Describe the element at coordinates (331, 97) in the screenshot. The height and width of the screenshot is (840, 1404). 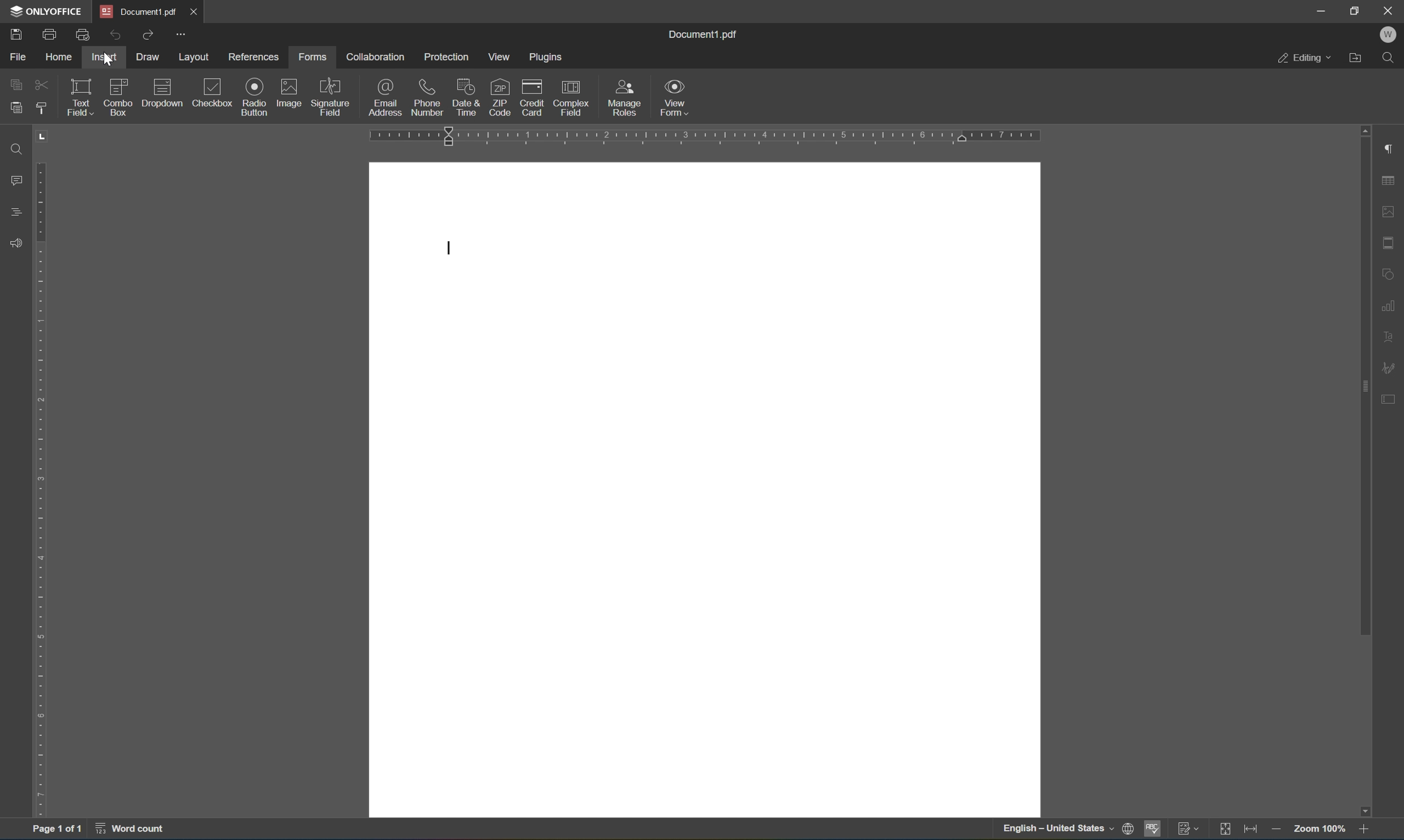
I see `signature field` at that location.